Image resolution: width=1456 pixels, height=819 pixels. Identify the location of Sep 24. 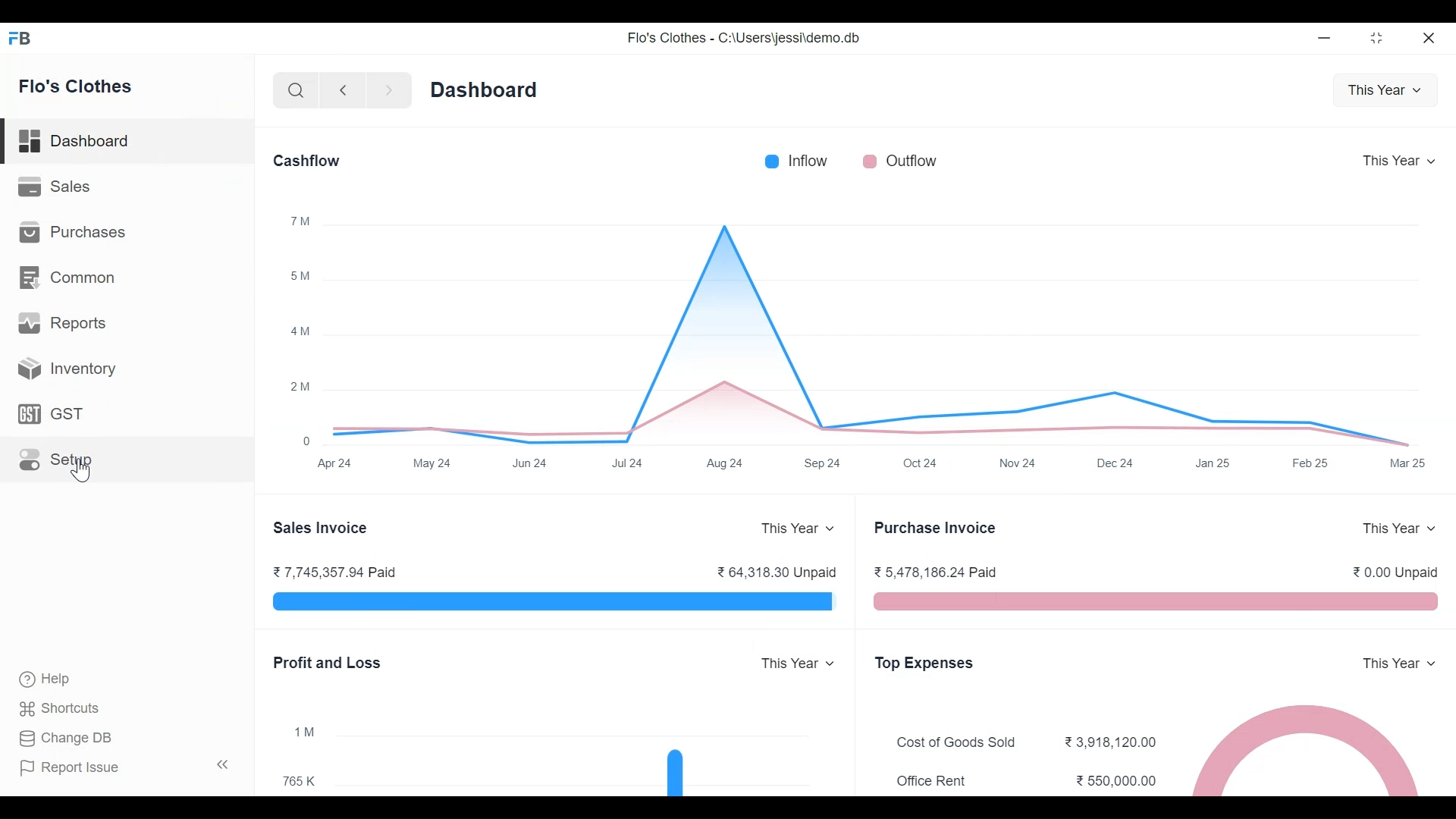
(829, 465).